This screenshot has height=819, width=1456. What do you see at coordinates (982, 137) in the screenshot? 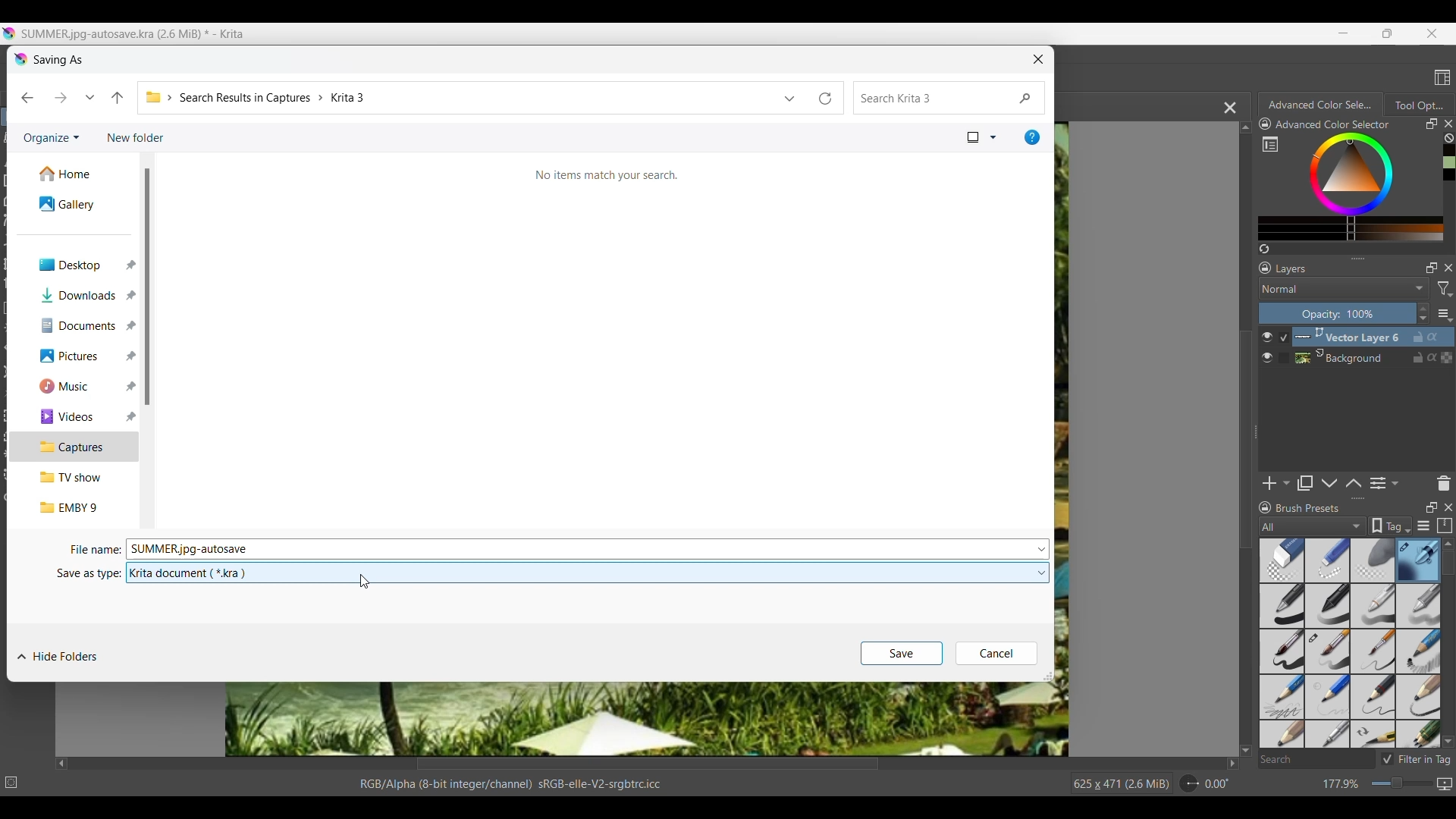
I see `Current sort and other sort options` at bounding box center [982, 137].